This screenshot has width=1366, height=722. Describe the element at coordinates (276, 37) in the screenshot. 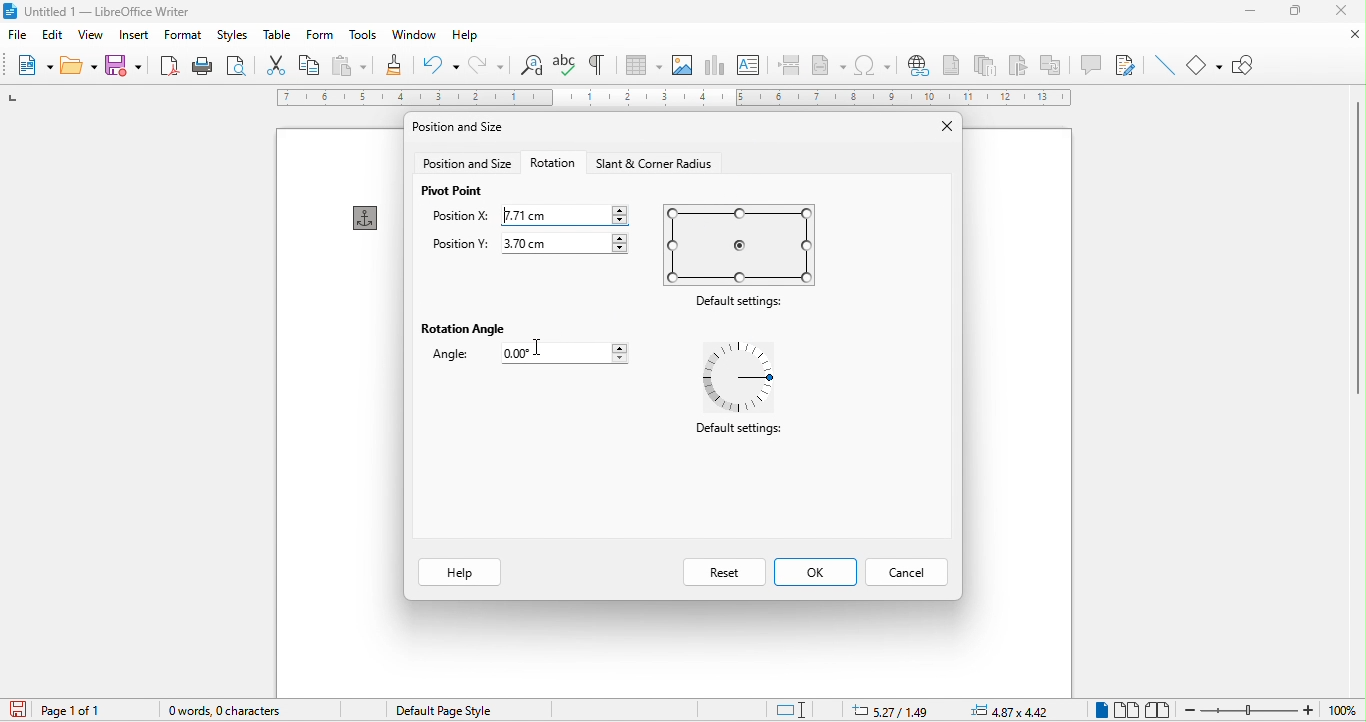

I see `table` at that location.